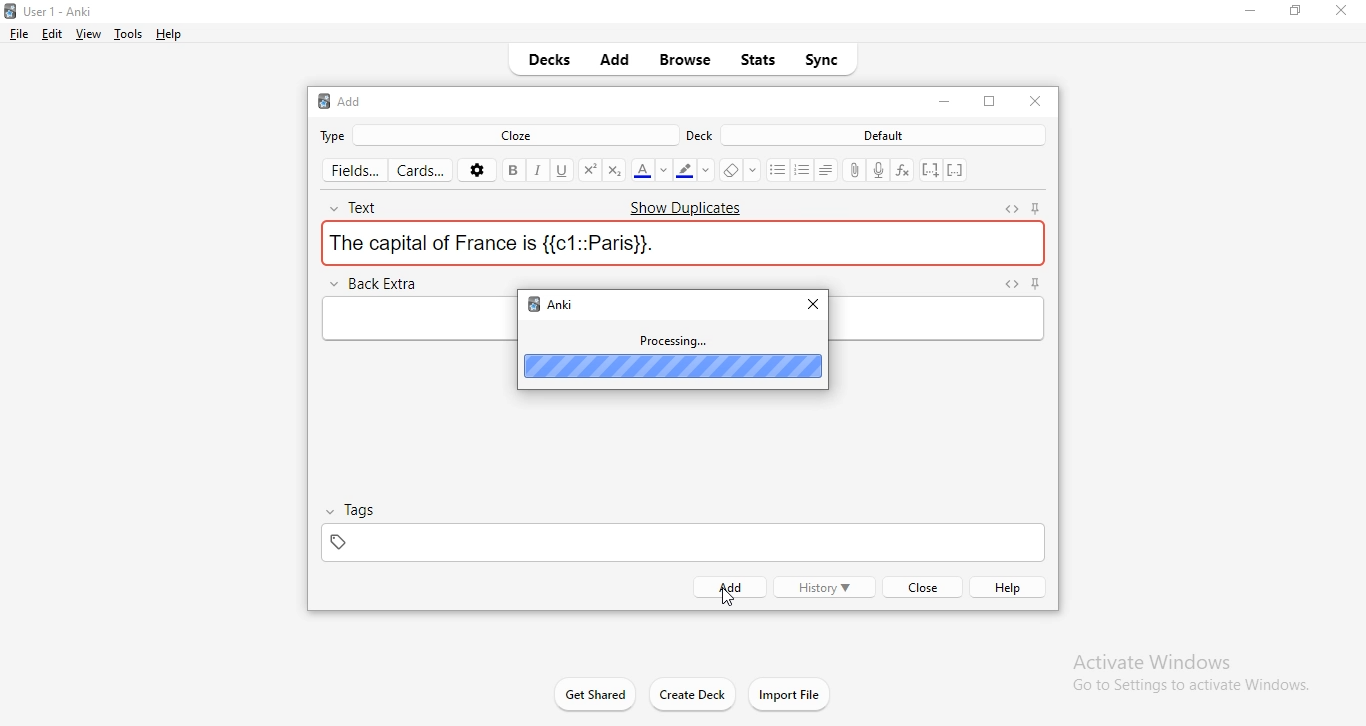  I want to click on create deck, so click(690, 696).